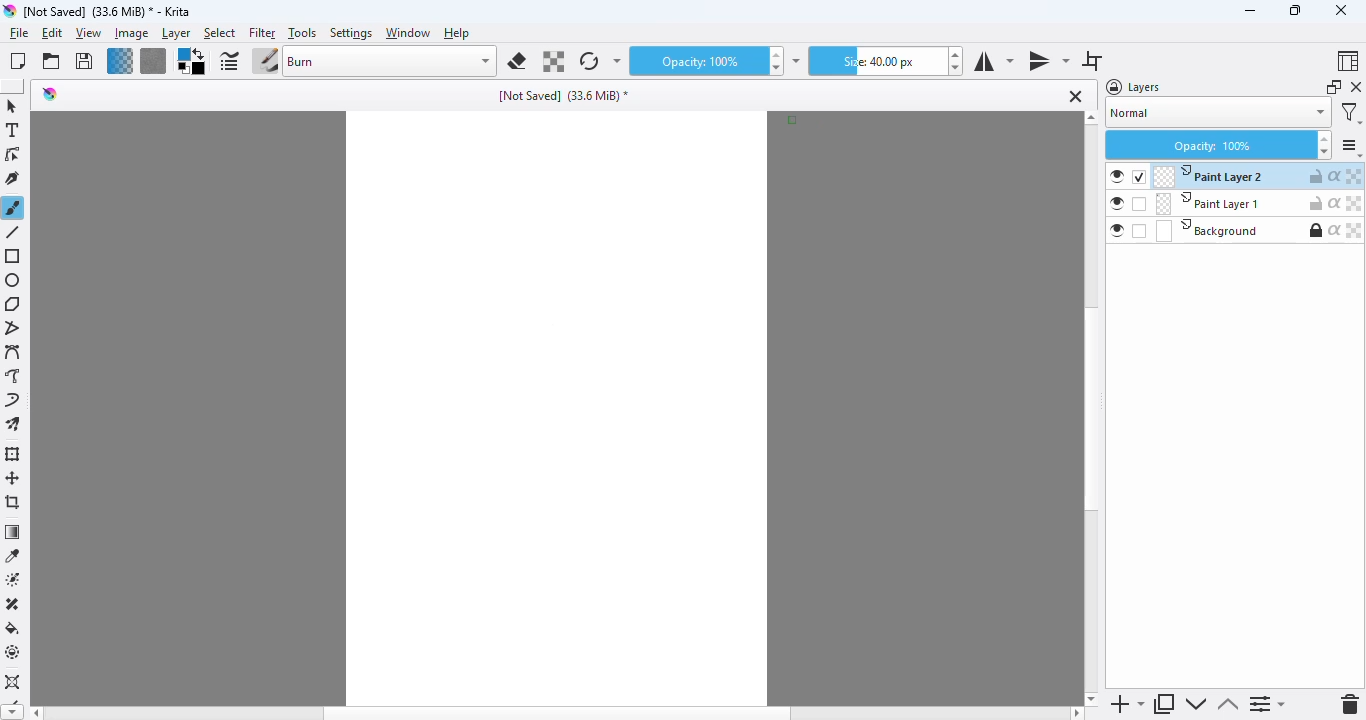  What do you see at coordinates (13, 604) in the screenshot?
I see `smart patch tool` at bounding box center [13, 604].